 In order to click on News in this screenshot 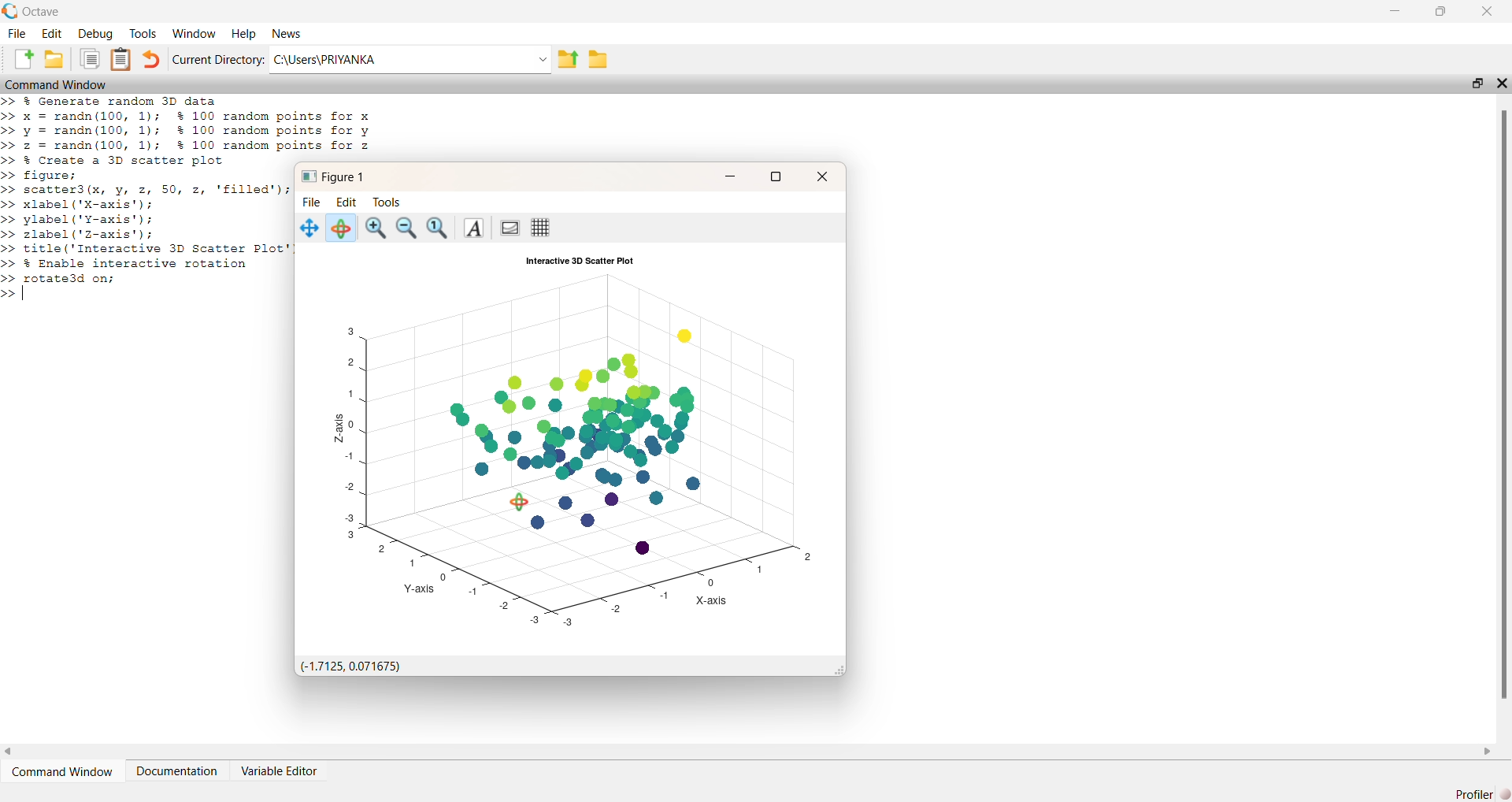, I will do `click(287, 34)`.